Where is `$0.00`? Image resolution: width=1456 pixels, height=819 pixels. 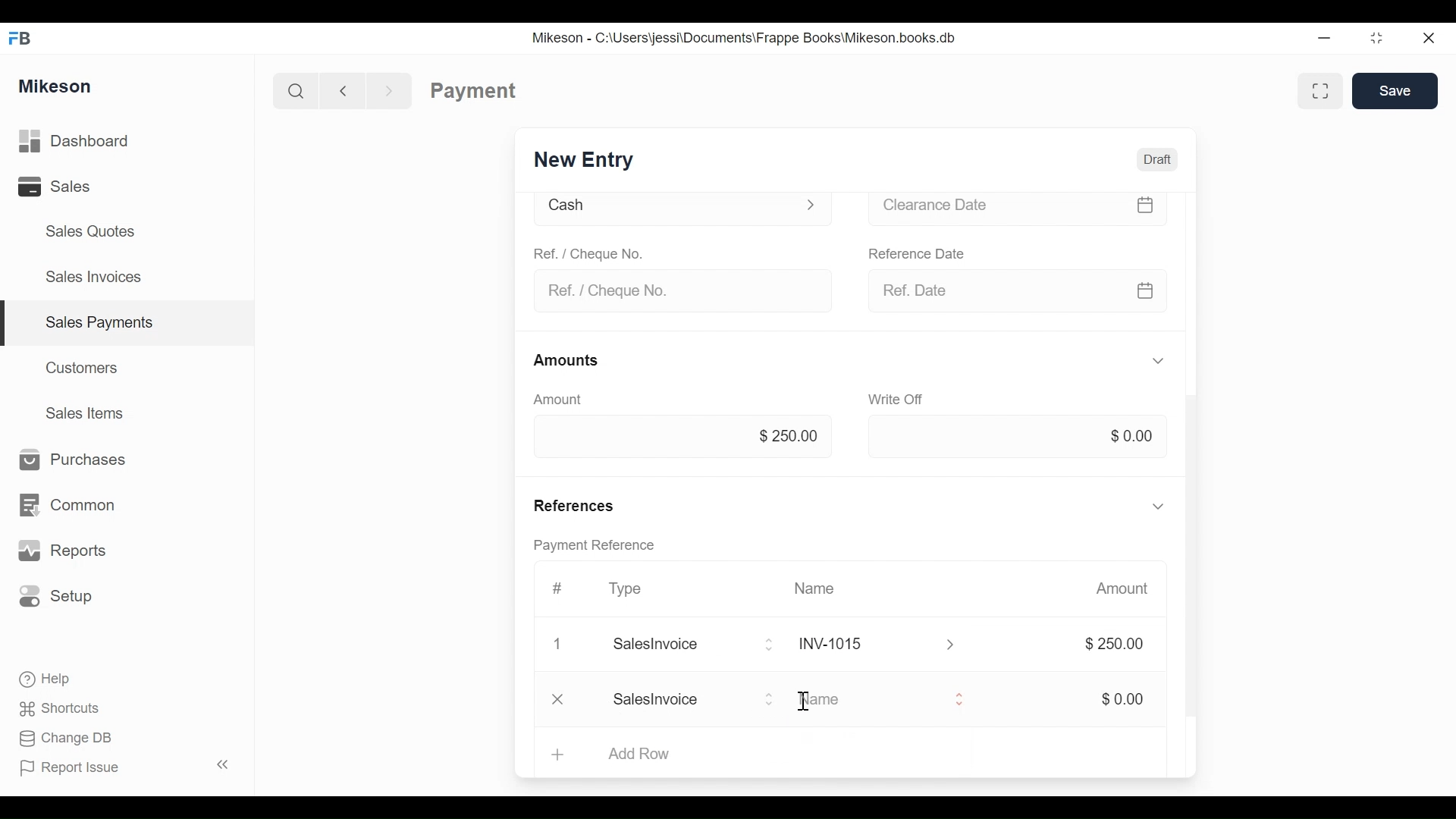
$0.00 is located at coordinates (1125, 701).